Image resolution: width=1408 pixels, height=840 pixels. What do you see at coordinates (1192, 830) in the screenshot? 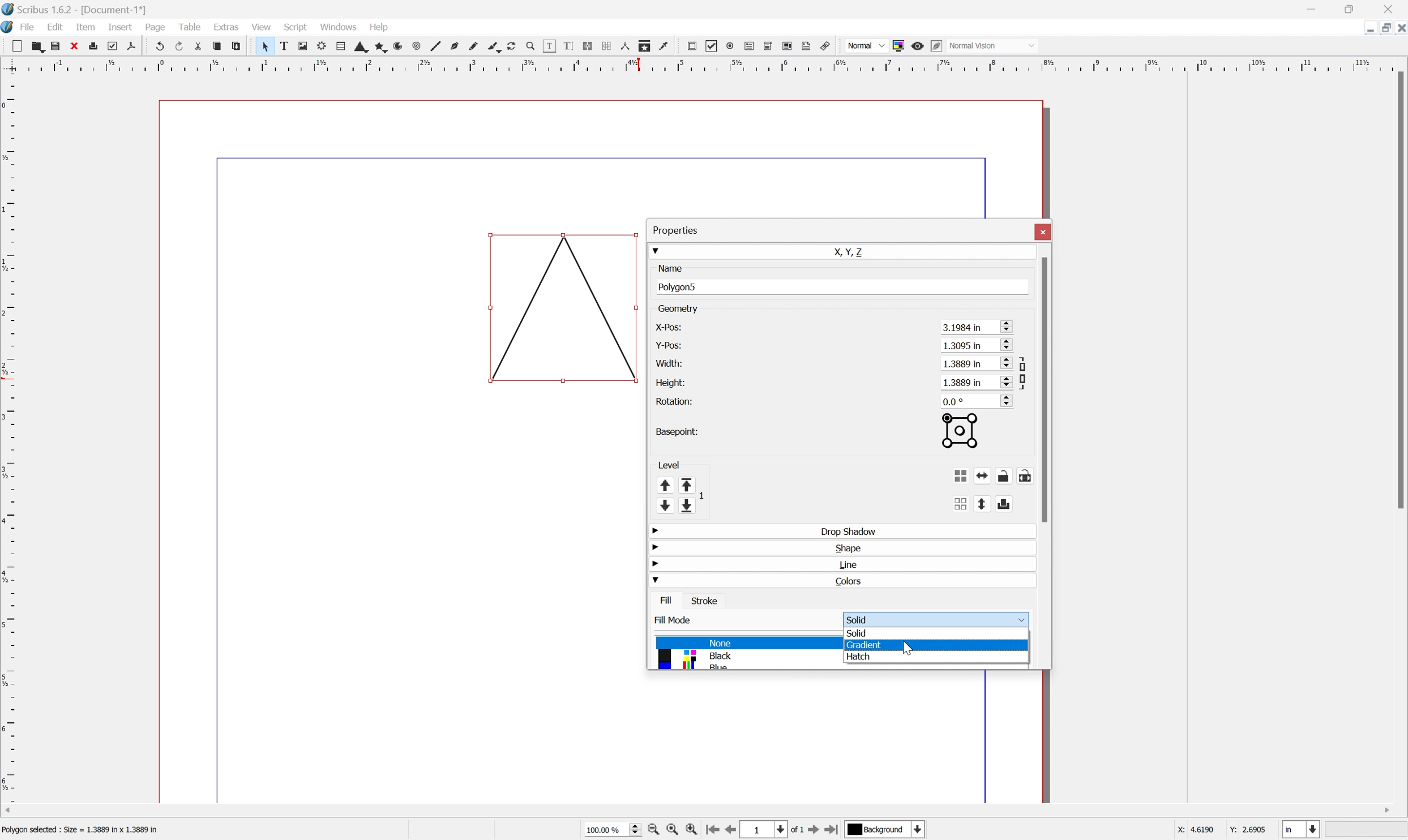
I see `X: 3.2063` at bounding box center [1192, 830].